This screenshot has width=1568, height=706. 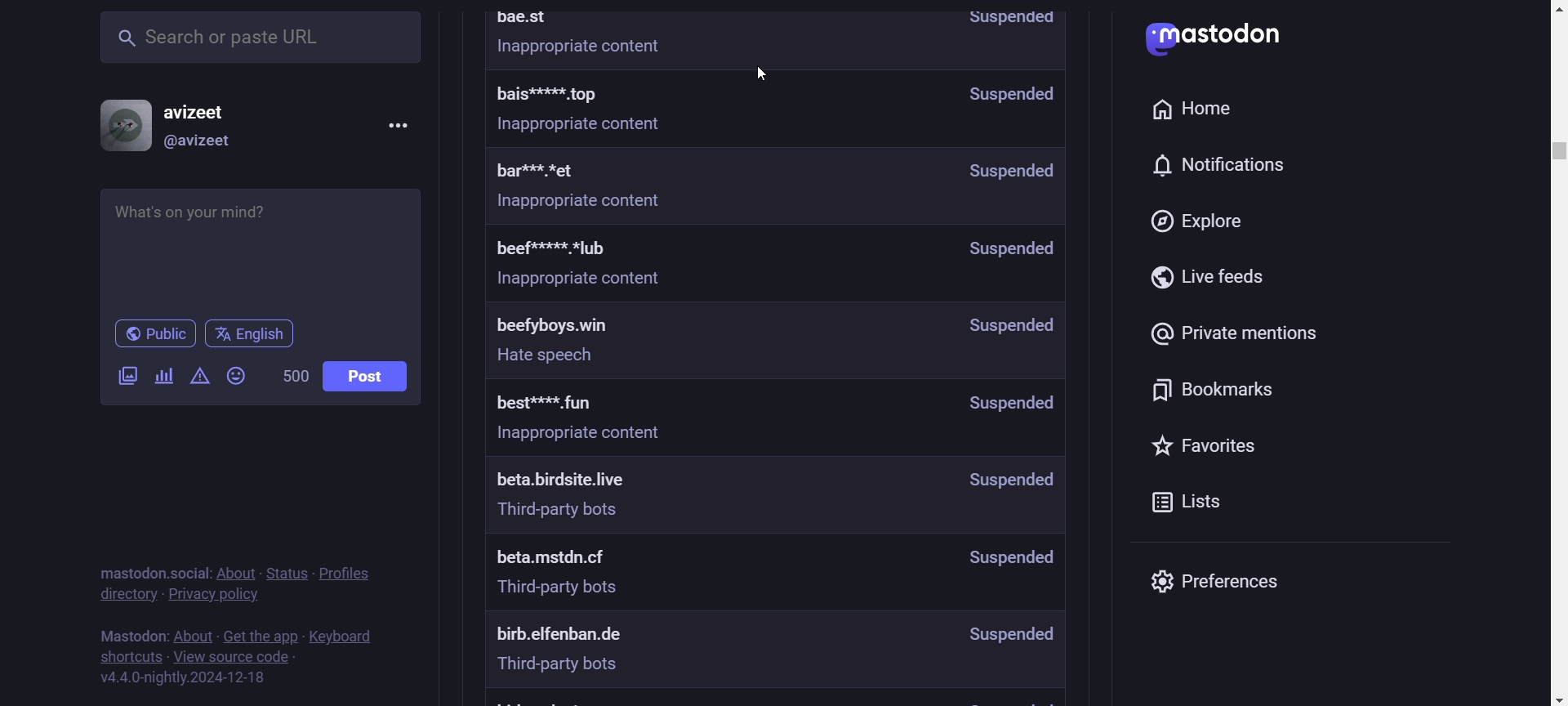 What do you see at coordinates (777, 185) in the screenshot?
I see `moderated server's information` at bounding box center [777, 185].